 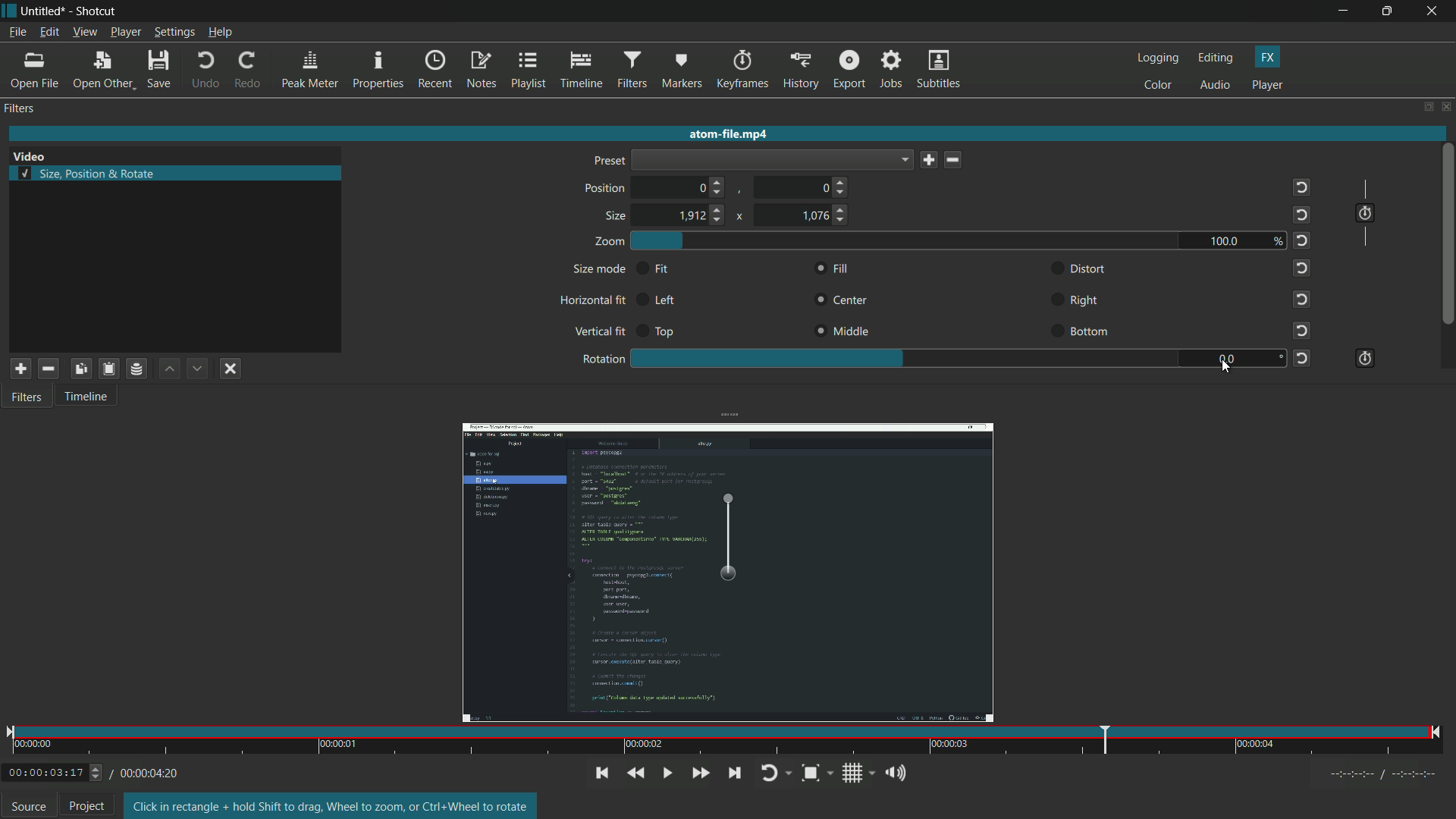 What do you see at coordinates (1363, 184) in the screenshot?
I see `|` at bounding box center [1363, 184].